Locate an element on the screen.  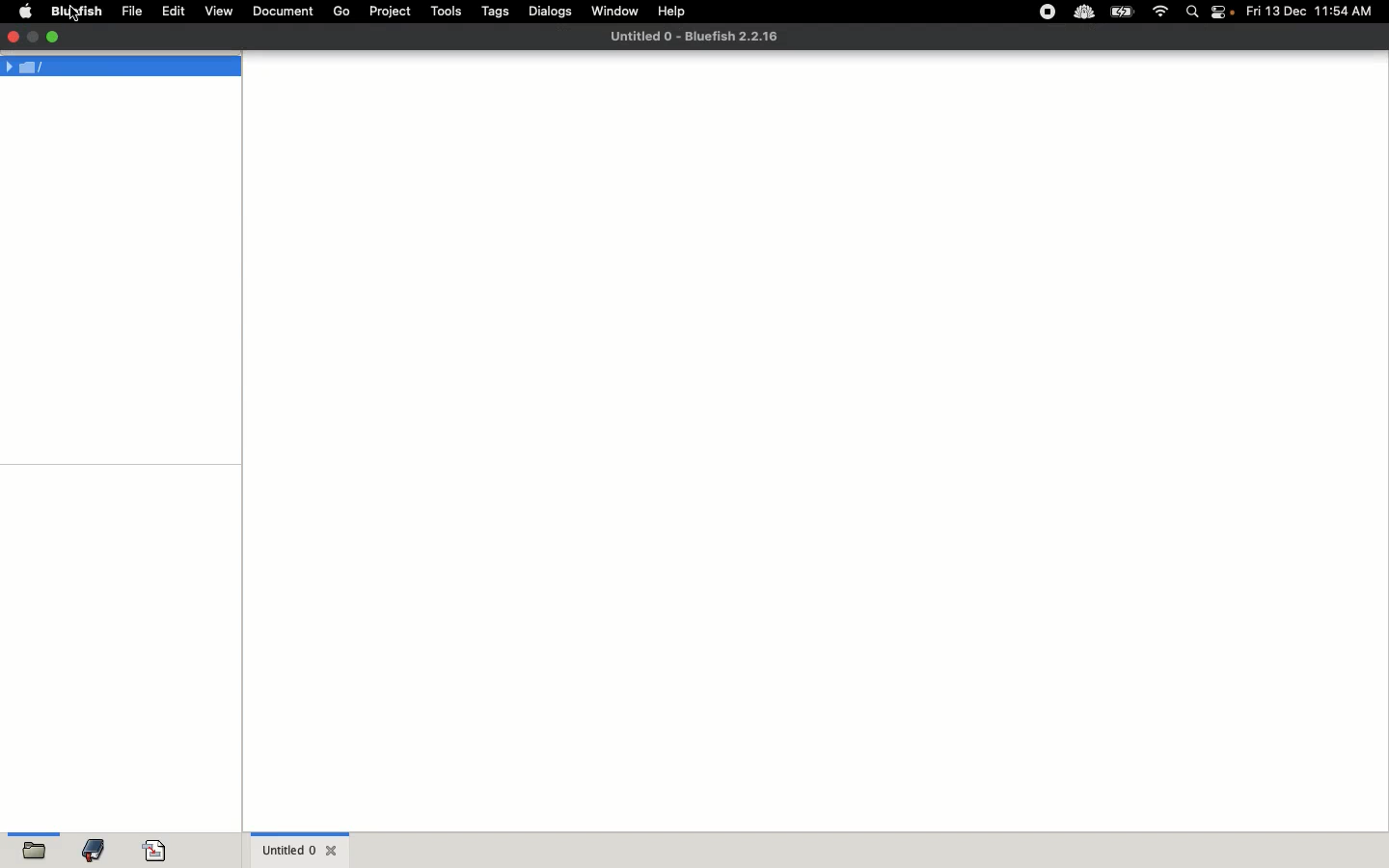
Dialogs is located at coordinates (550, 11).